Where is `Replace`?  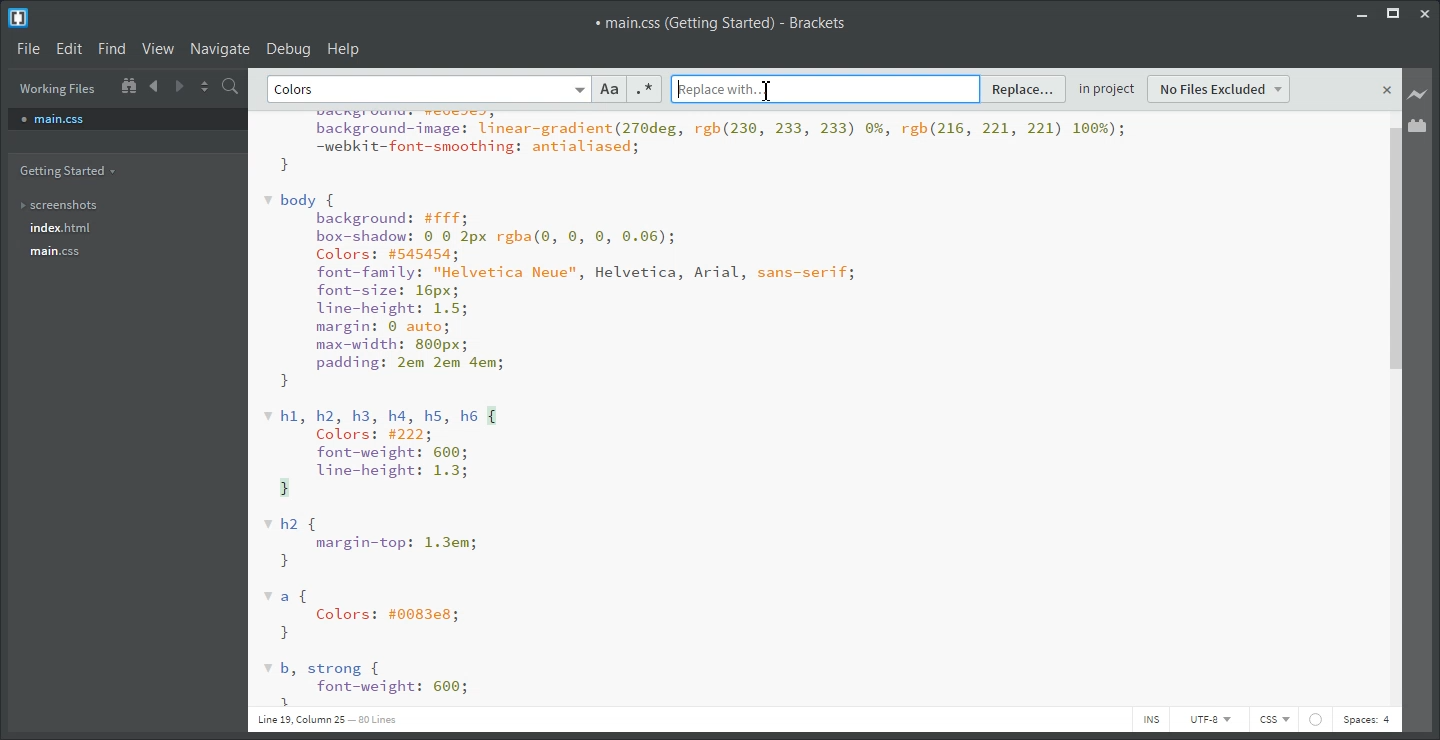 Replace is located at coordinates (1024, 90).